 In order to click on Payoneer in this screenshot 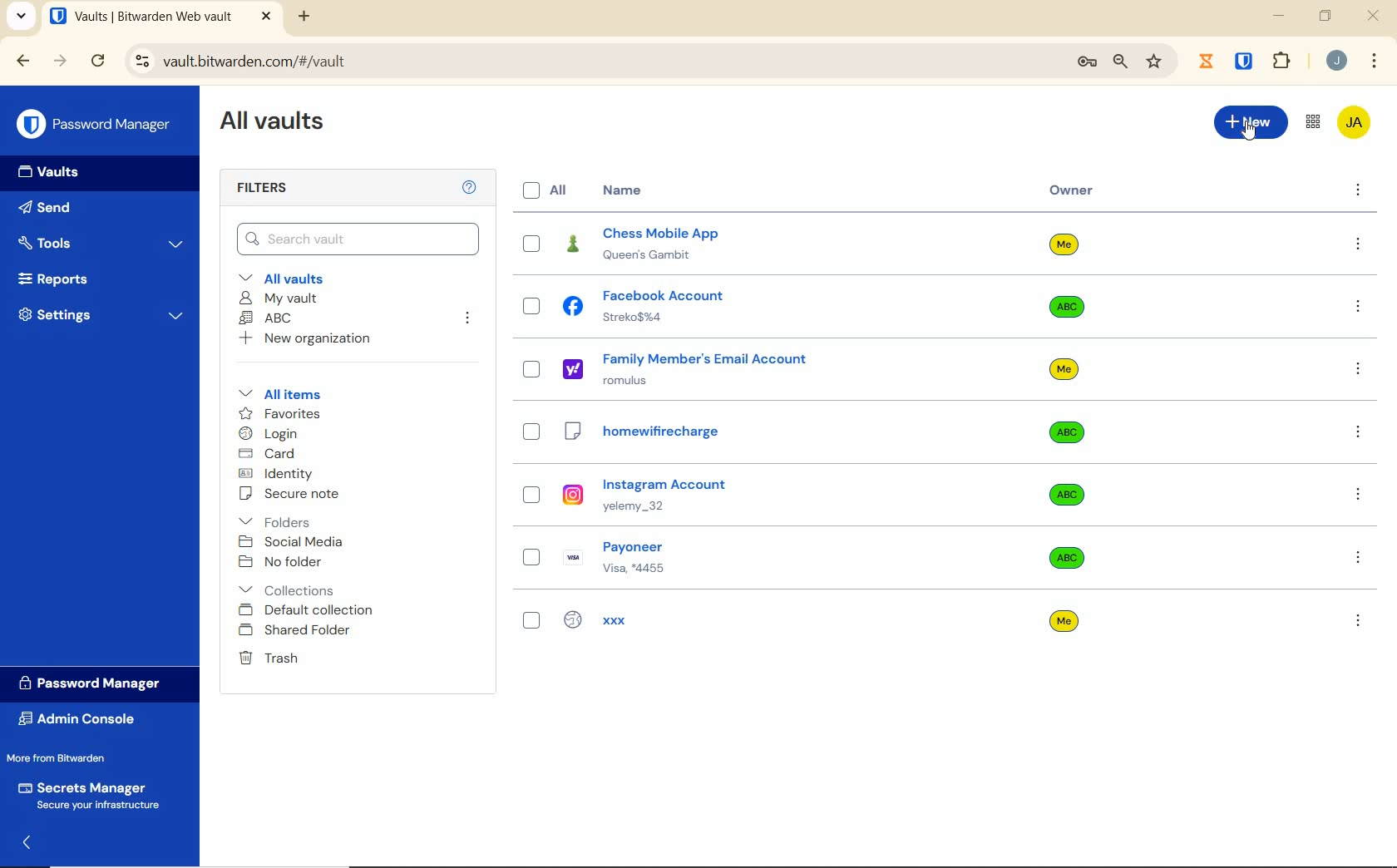, I will do `click(681, 555)`.